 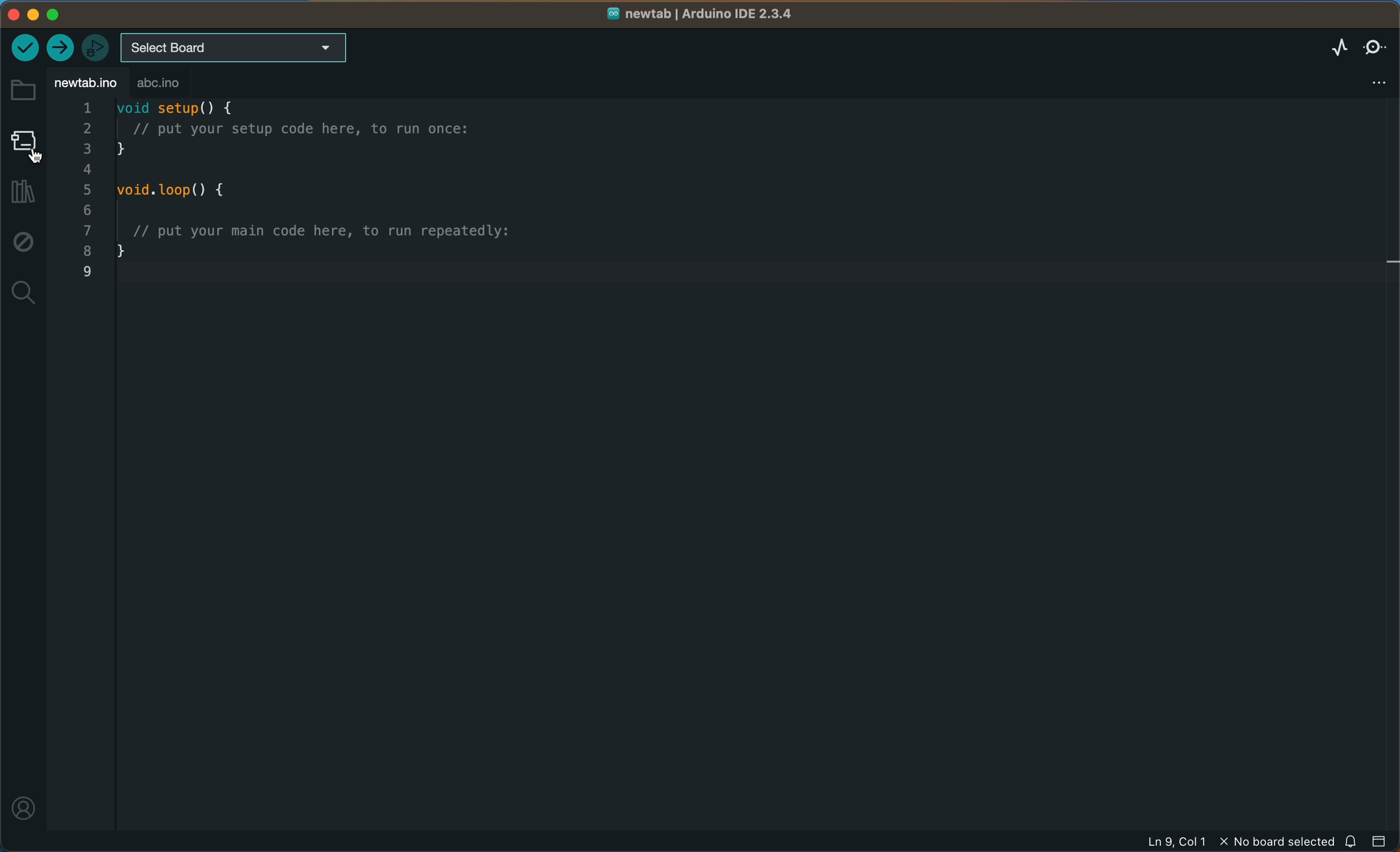 I want to click on upload, so click(x=61, y=48).